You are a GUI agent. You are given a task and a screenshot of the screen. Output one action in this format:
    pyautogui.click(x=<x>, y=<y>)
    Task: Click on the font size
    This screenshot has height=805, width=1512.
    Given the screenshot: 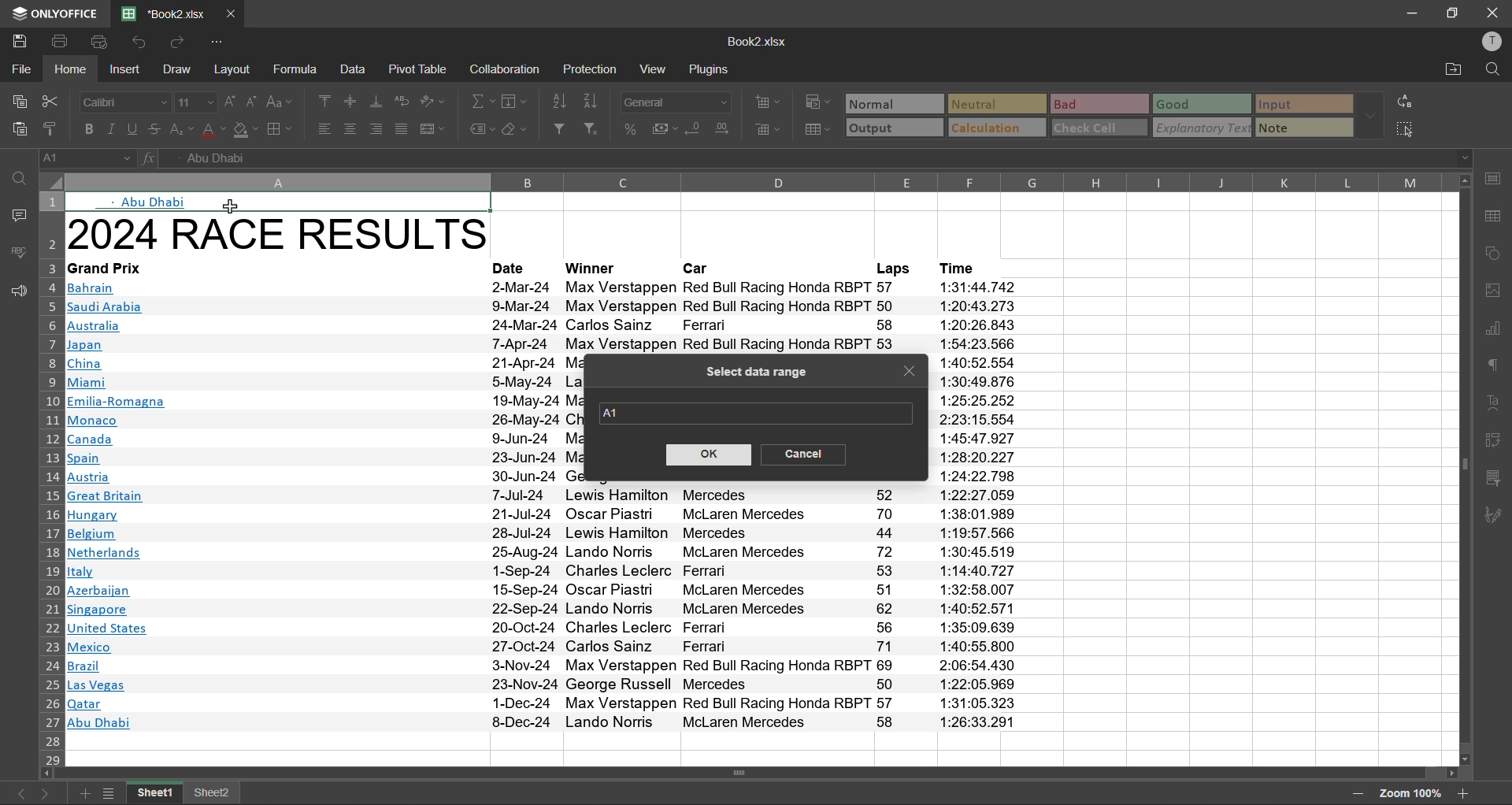 What is the action you would take?
    pyautogui.click(x=198, y=101)
    